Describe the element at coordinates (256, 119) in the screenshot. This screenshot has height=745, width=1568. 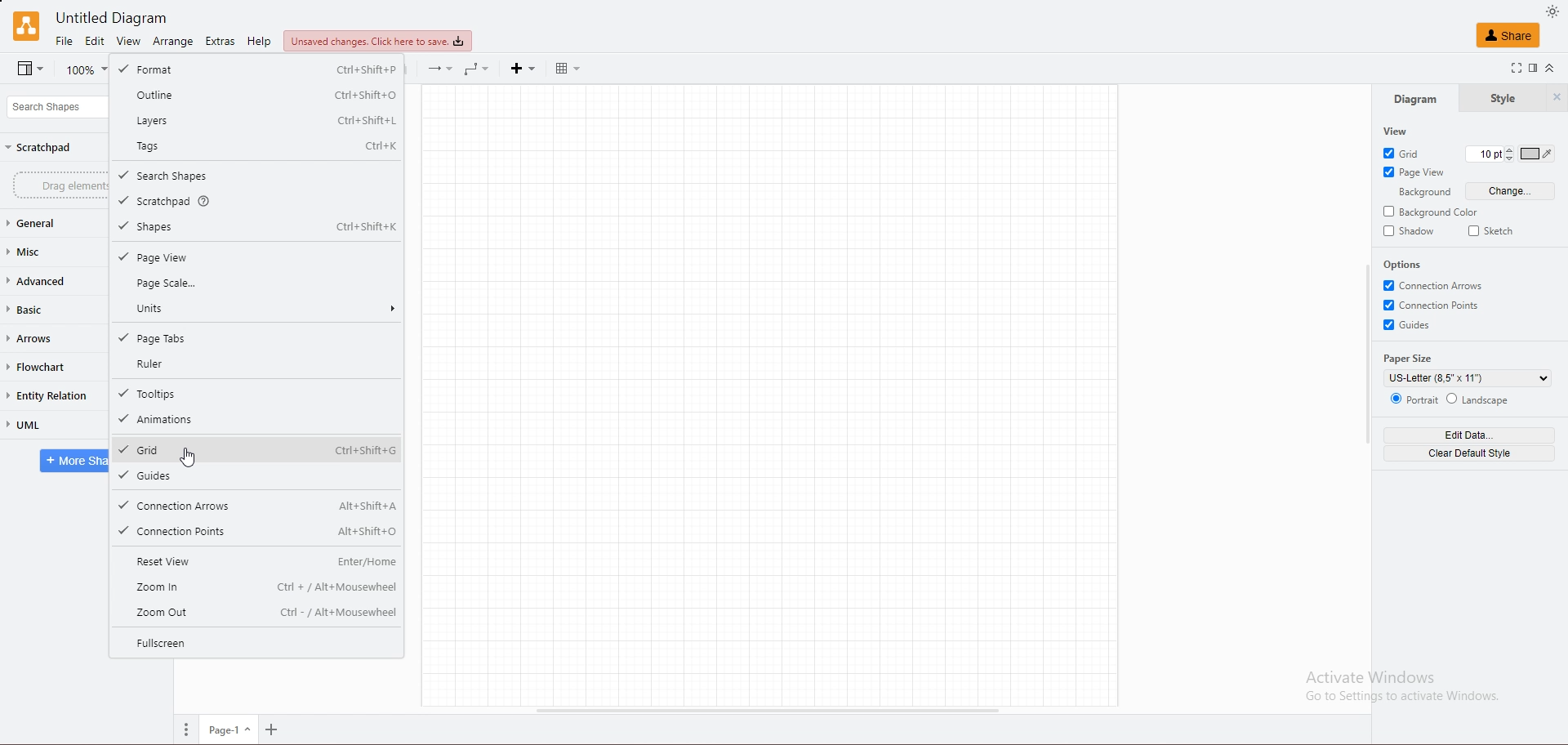
I see `layers                    Ctrl+Shft+L` at that location.